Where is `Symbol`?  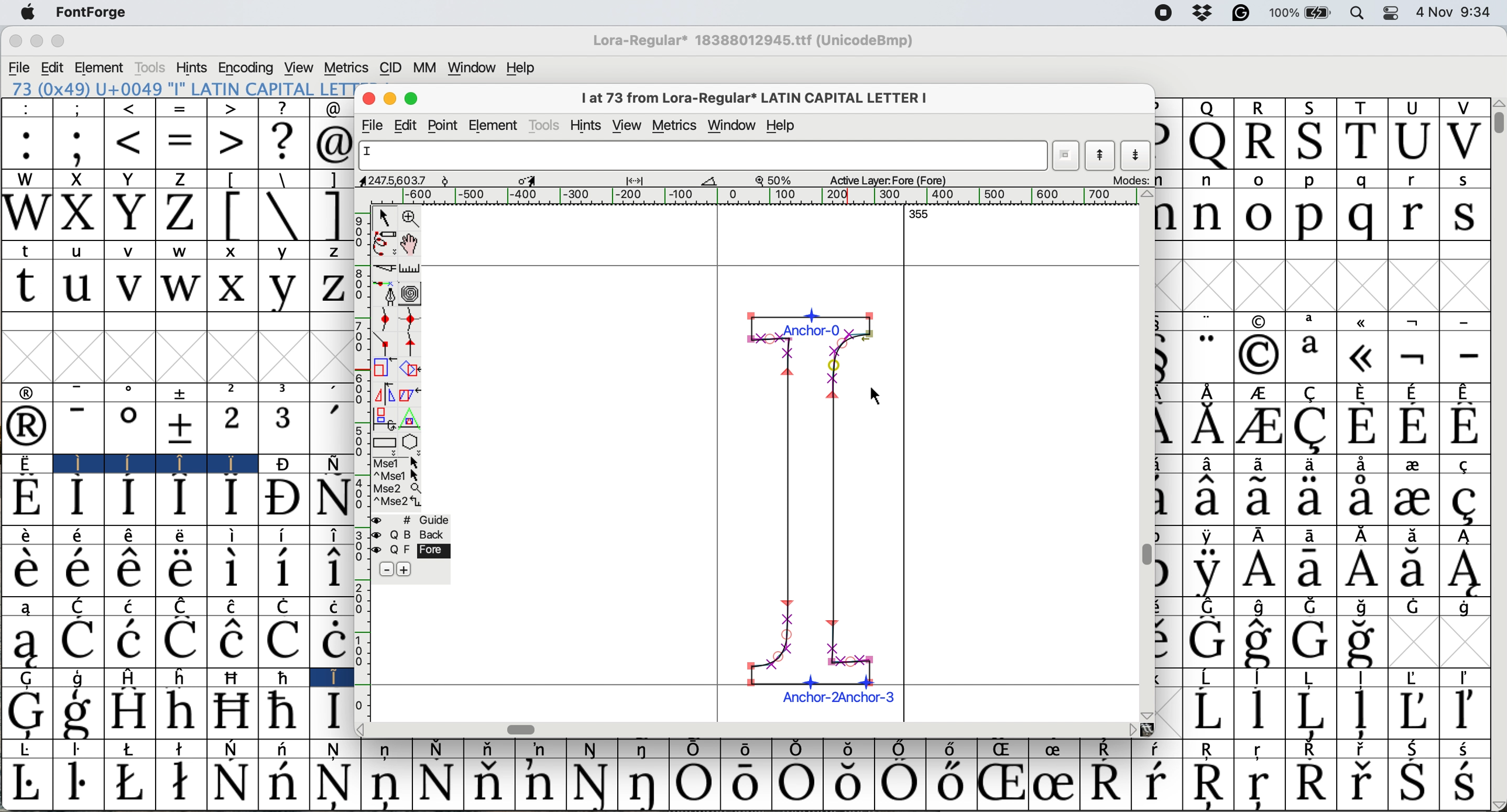
Symbol is located at coordinates (1312, 428).